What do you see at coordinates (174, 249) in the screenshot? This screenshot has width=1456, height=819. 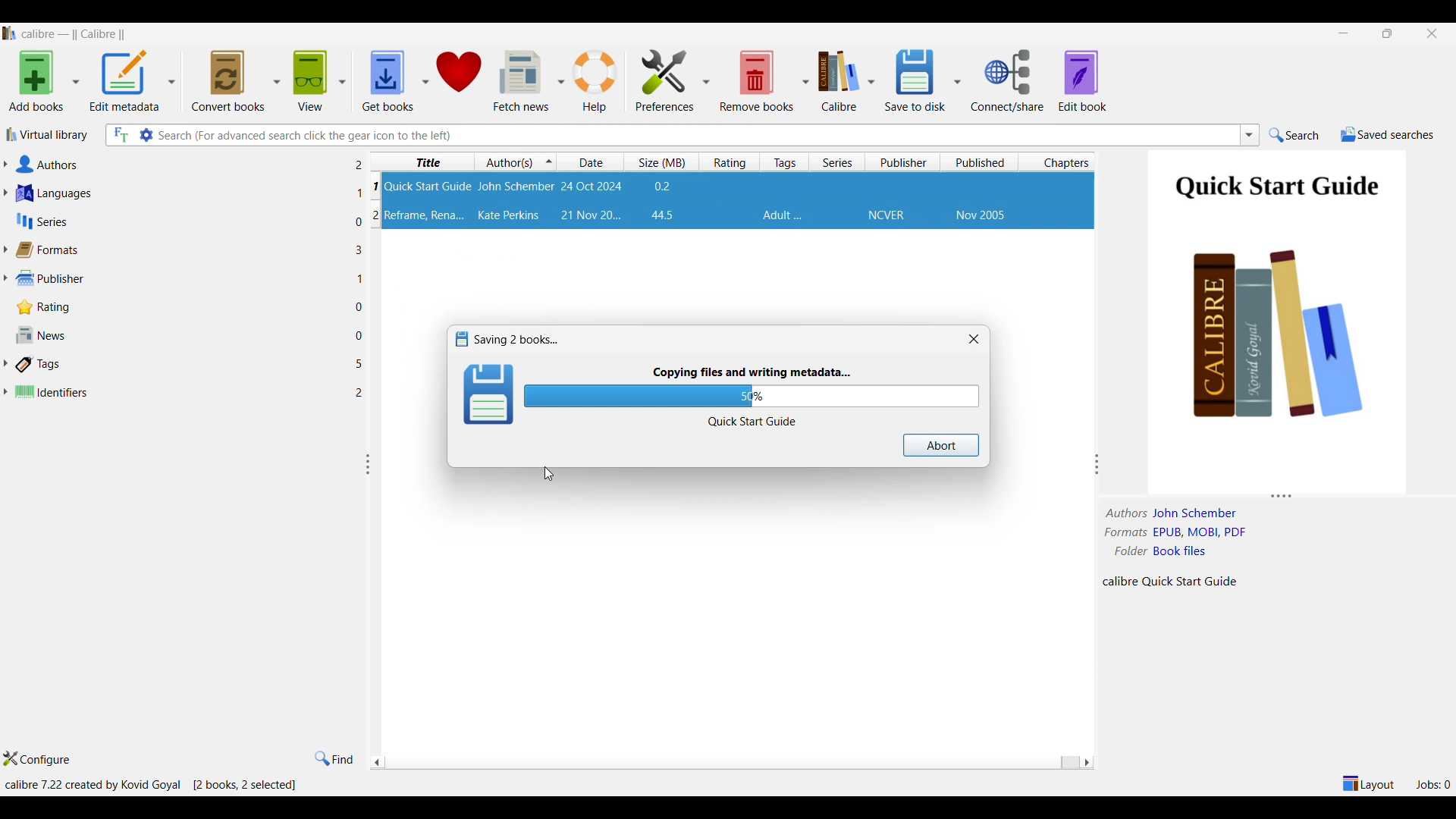 I see `Formats` at bounding box center [174, 249].